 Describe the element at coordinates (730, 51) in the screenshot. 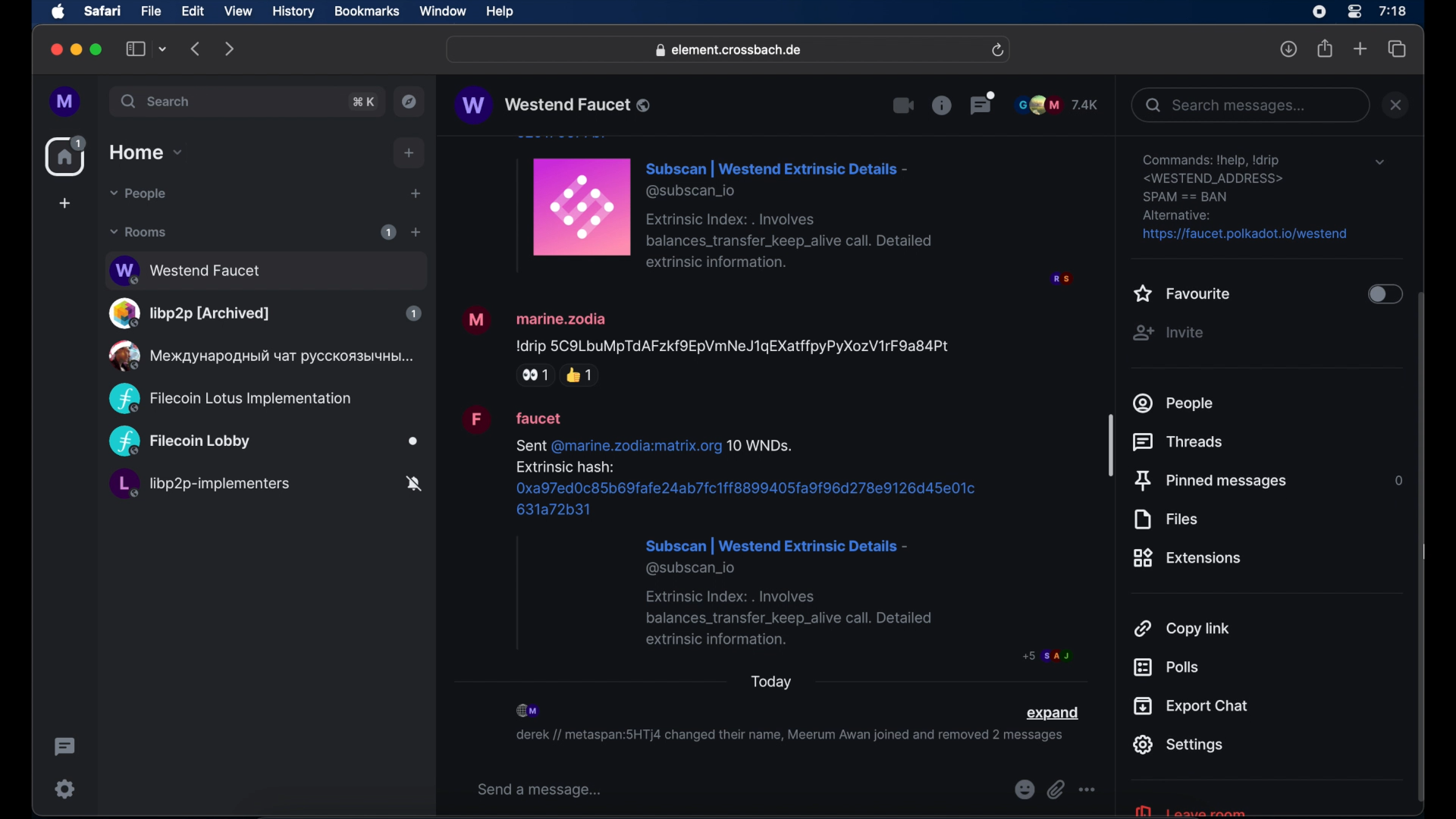

I see `web address` at that location.